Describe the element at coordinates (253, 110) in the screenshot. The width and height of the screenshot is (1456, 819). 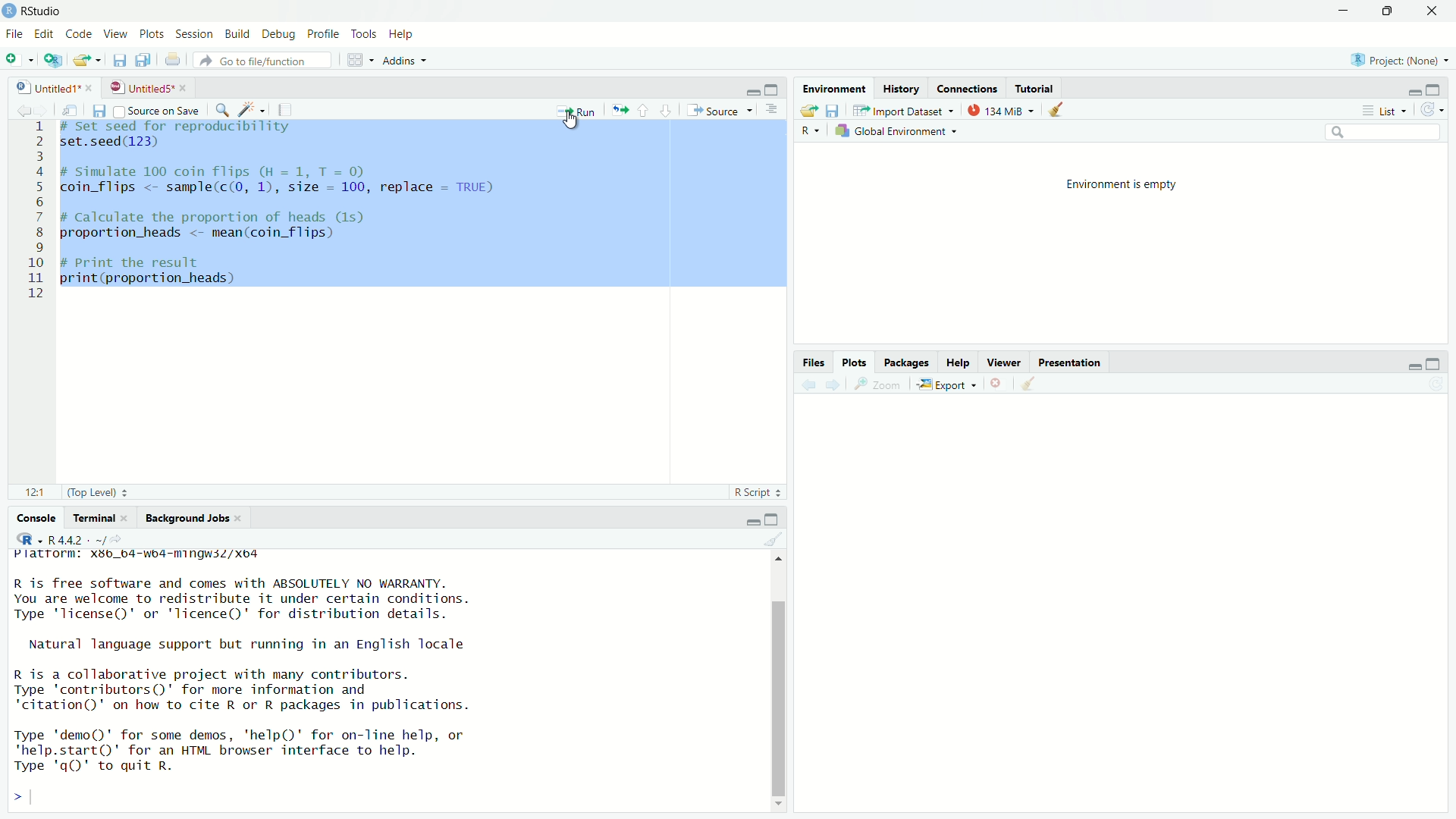
I see `code tools` at that location.